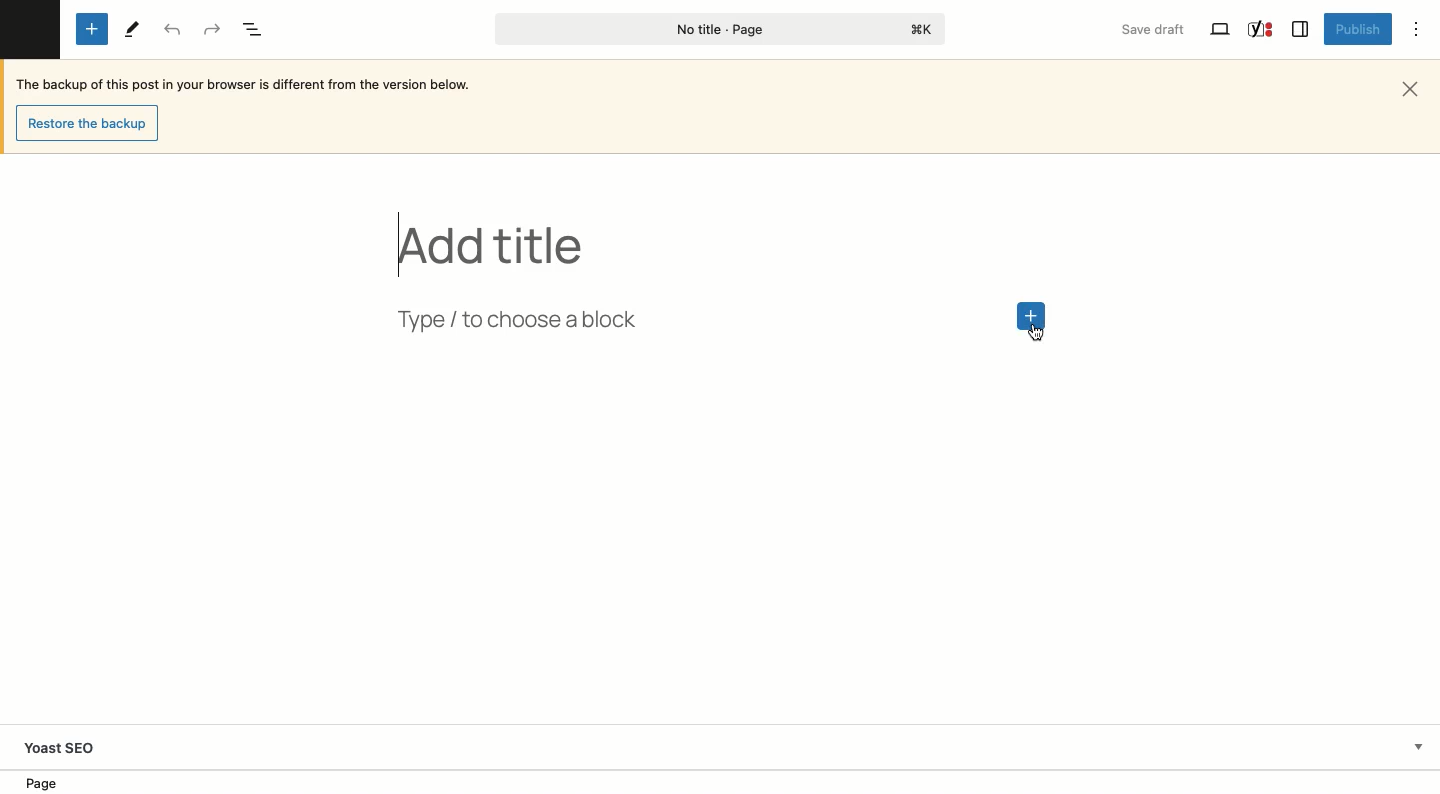 This screenshot has width=1440, height=794. What do you see at coordinates (1355, 28) in the screenshot?
I see `Publish` at bounding box center [1355, 28].